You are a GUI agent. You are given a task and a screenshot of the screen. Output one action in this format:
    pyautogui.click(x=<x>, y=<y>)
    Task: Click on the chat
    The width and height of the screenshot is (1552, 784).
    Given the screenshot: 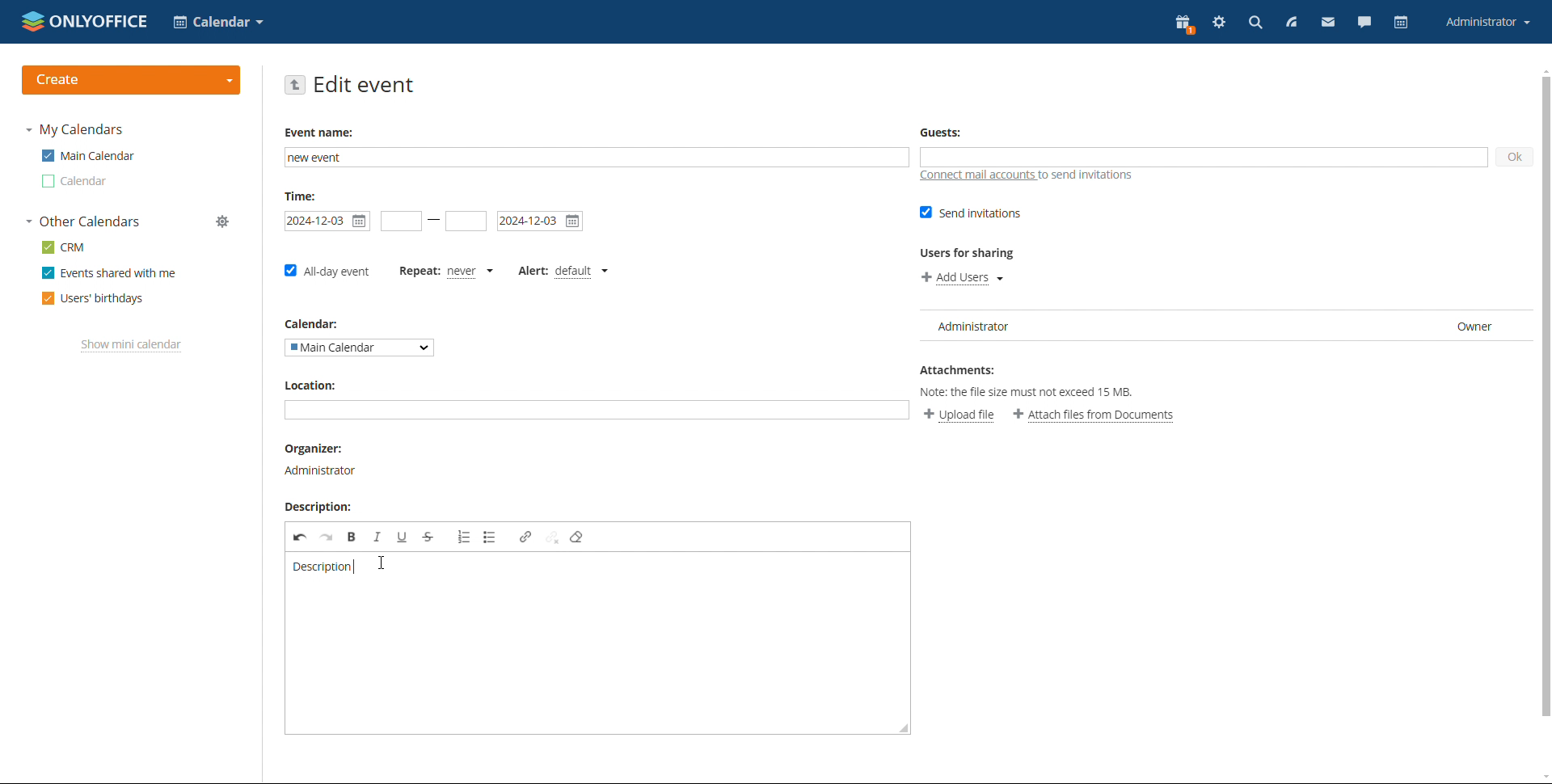 What is the action you would take?
    pyautogui.click(x=1365, y=23)
    